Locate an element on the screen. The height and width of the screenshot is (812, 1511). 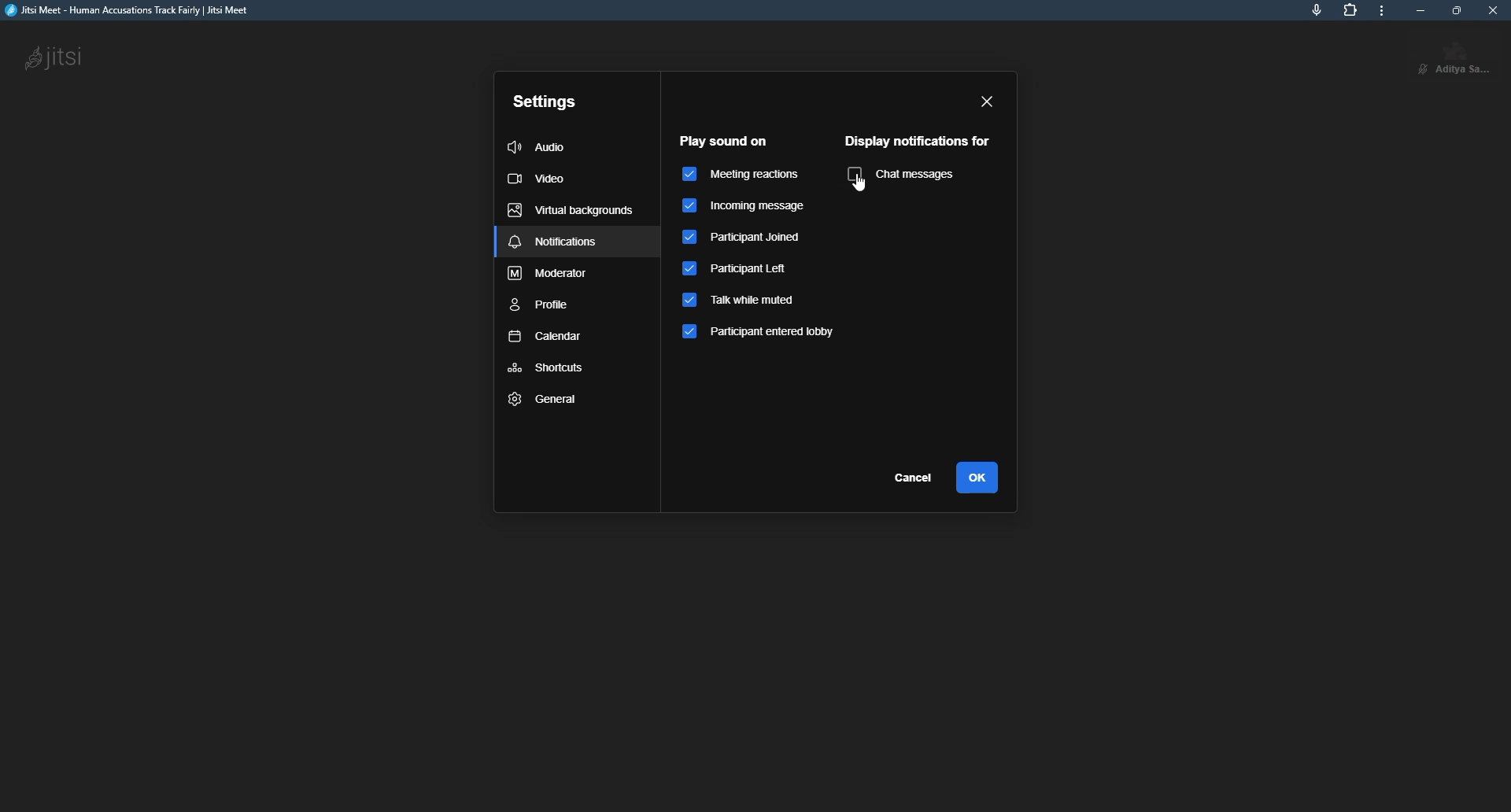
extensions is located at coordinates (1348, 10).